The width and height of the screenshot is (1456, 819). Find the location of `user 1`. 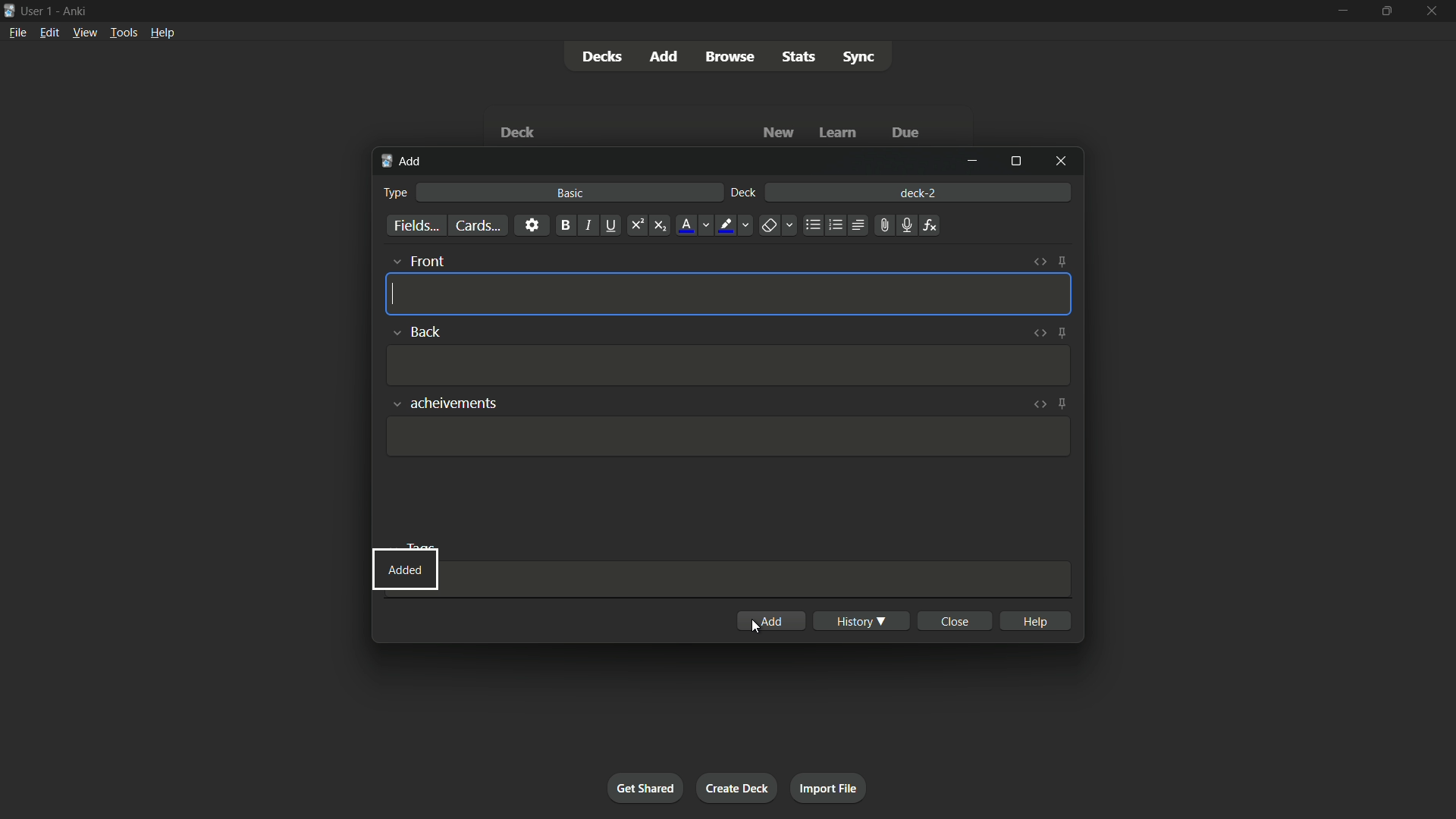

user 1 is located at coordinates (38, 11).